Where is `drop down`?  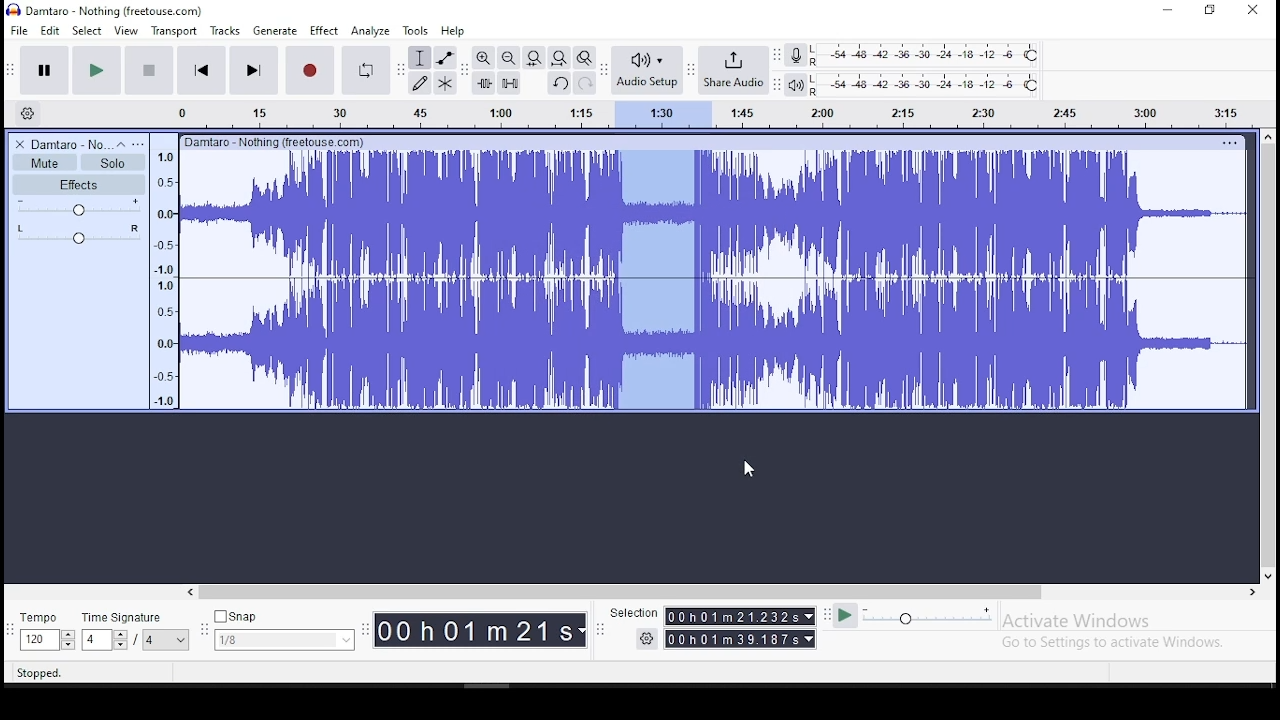 drop down is located at coordinates (583, 631).